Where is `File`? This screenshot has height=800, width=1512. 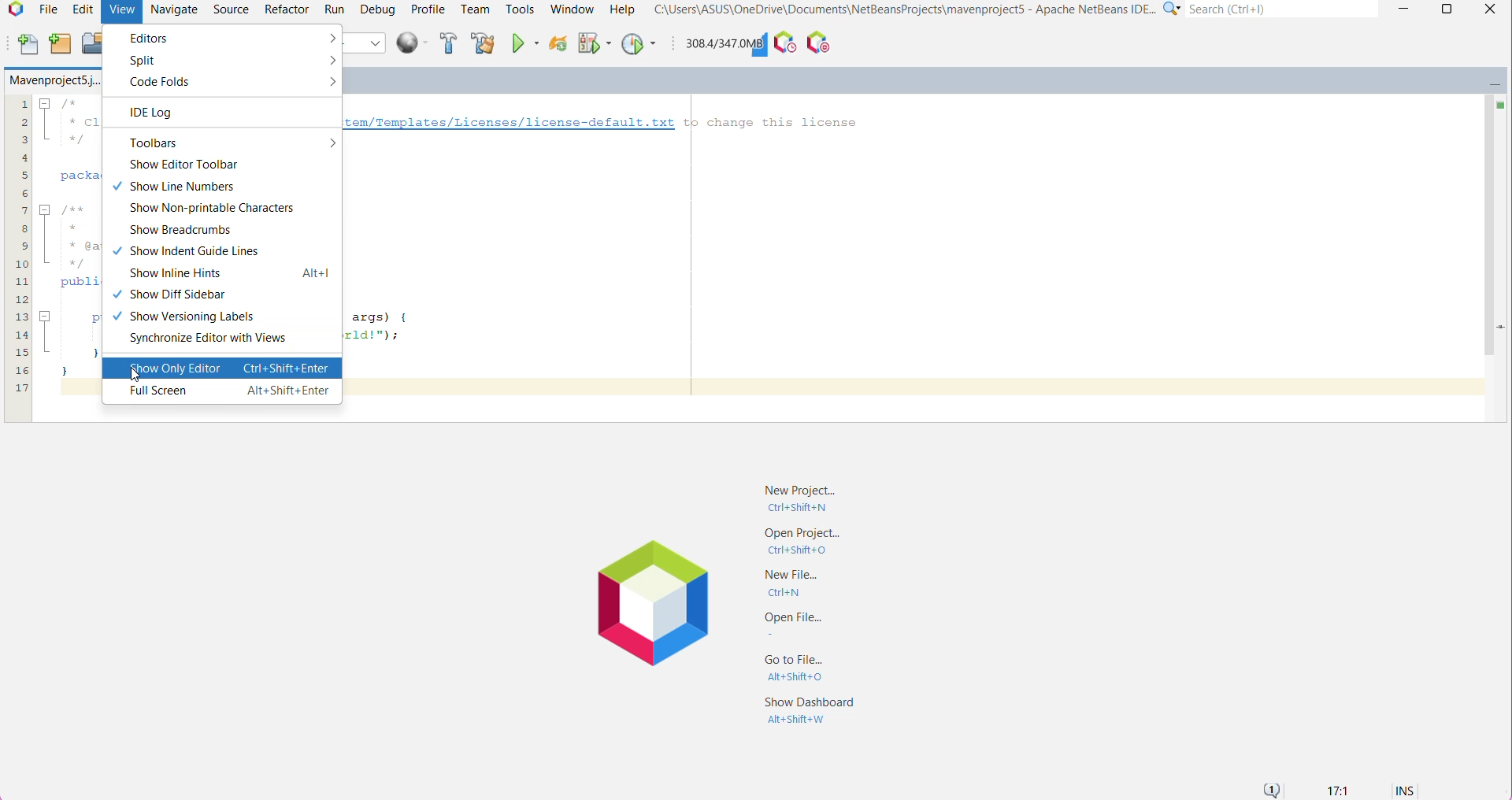
File is located at coordinates (47, 9).